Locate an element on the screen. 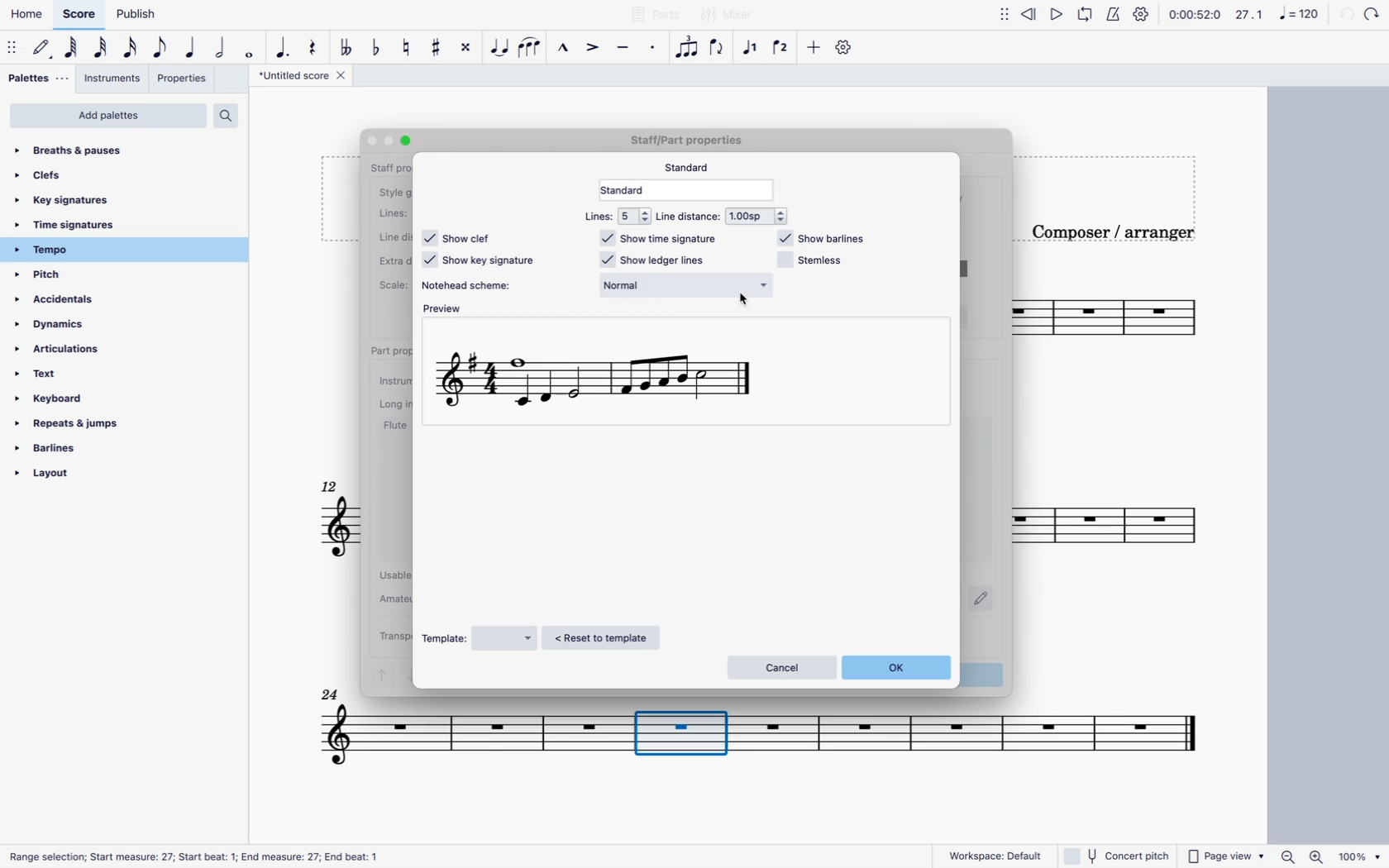  tie is located at coordinates (498, 50).